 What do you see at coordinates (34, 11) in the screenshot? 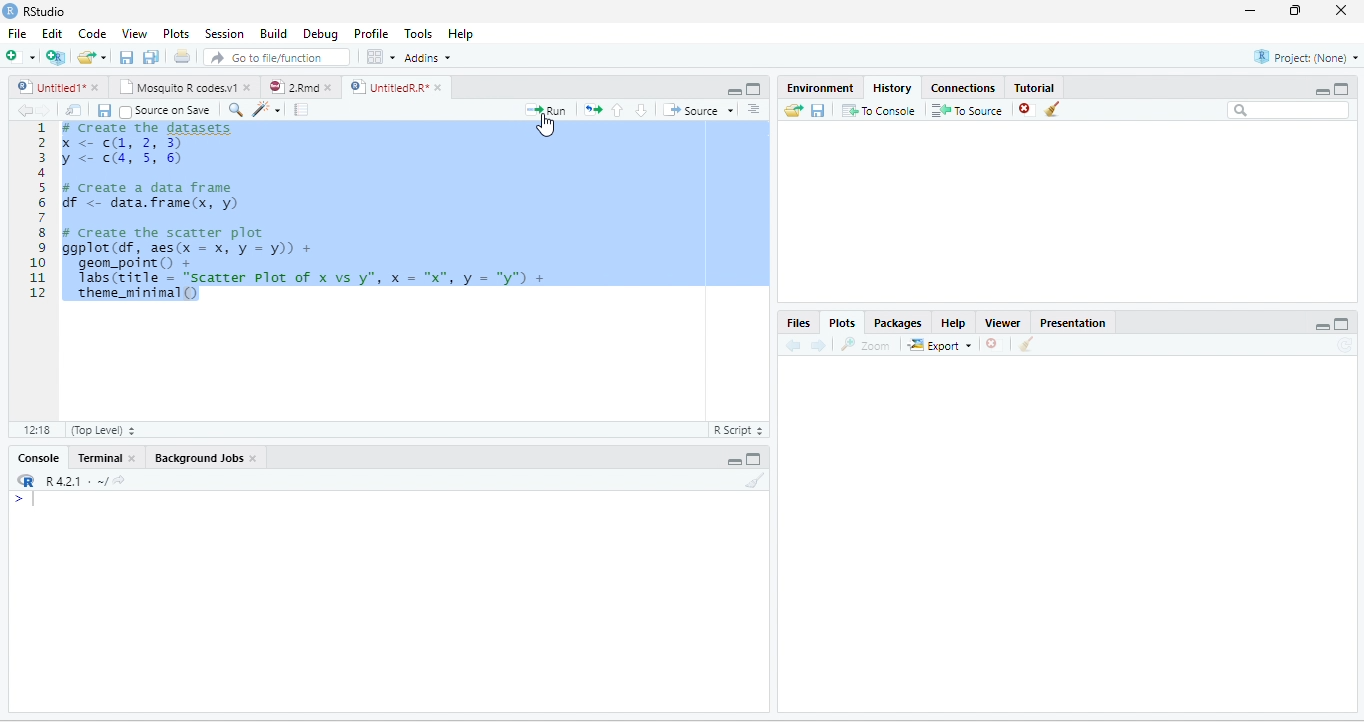
I see `RStudio` at bounding box center [34, 11].